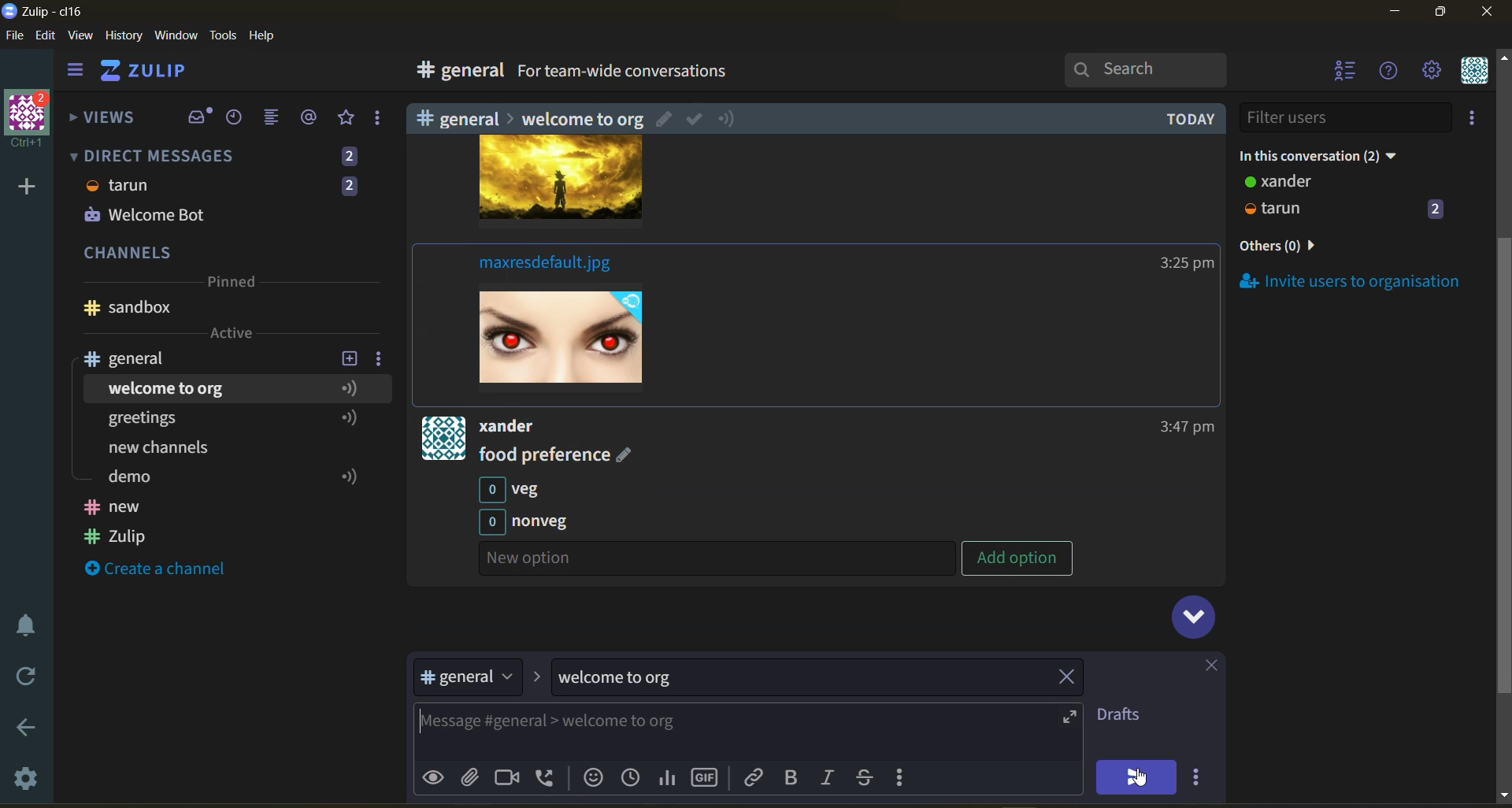 This screenshot has height=808, width=1512. What do you see at coordinates (384, 121) in the screenshot?
I see `reactions and drafts` at bounding box center [384, 121].